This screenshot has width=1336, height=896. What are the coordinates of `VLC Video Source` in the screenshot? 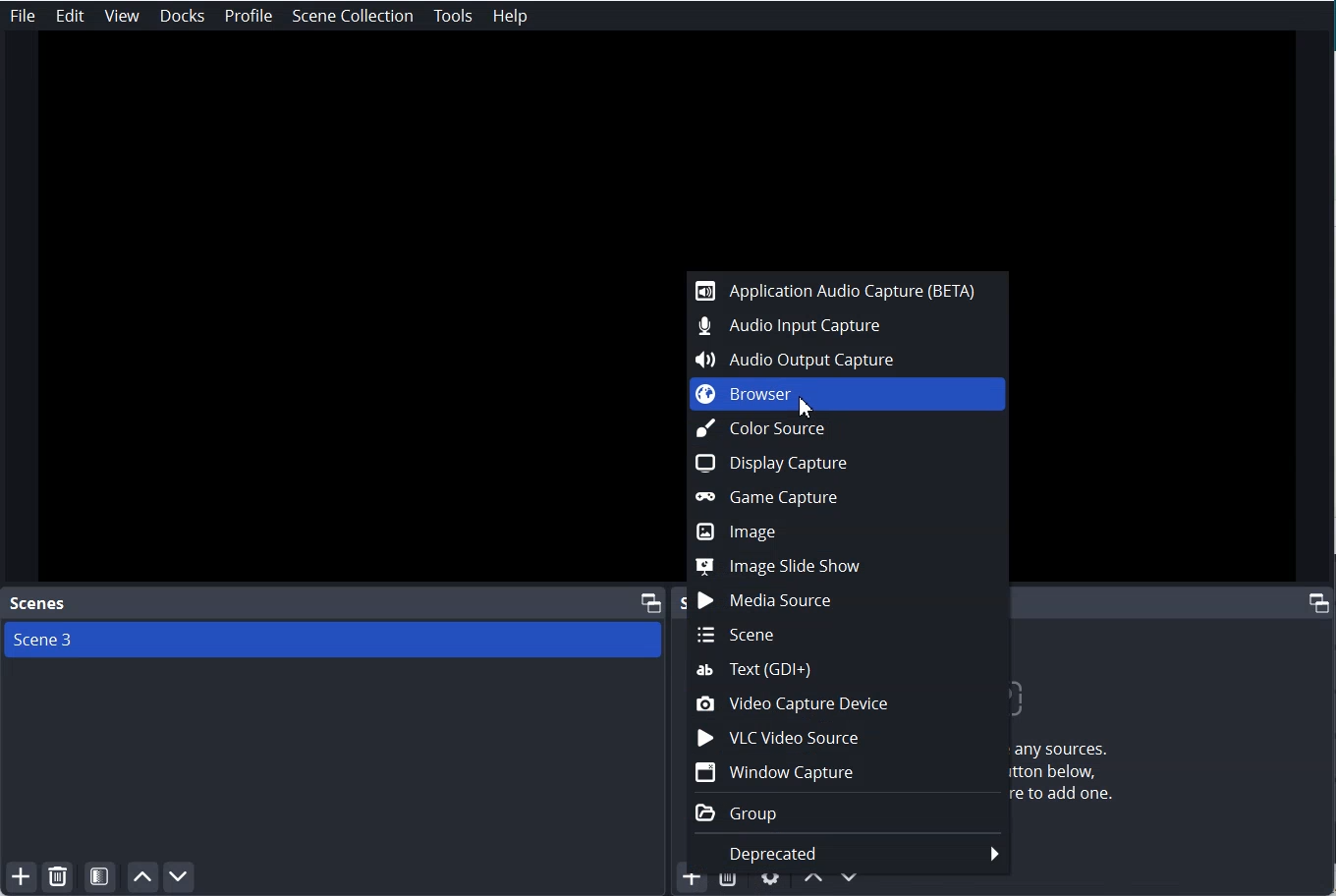 It's located at (849, 738).